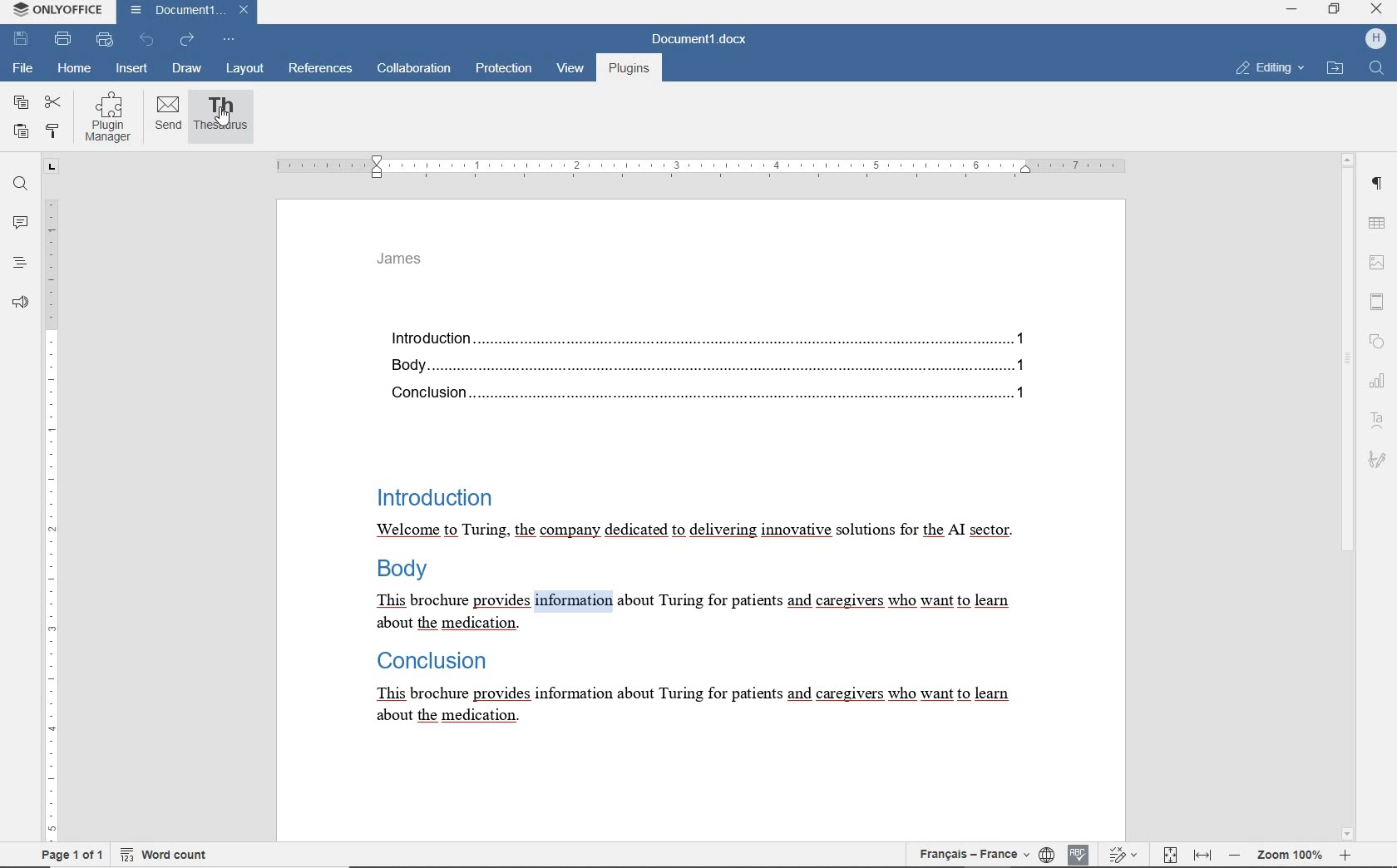 The image size is (1397, 868). Describe the element at coordinates (702, 394) in the screenshot. I see `Conclusion......1` at that location.